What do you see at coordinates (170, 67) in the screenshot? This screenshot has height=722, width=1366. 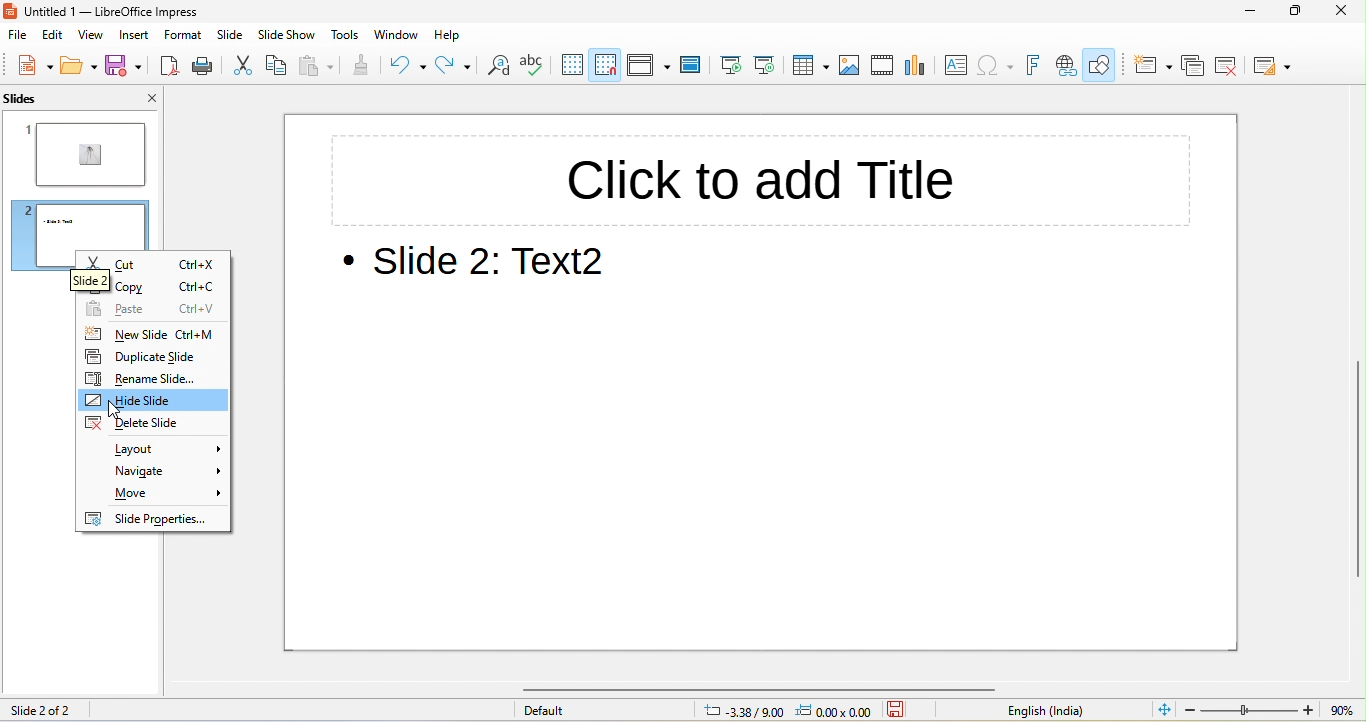 I see `export directly as pdf` at bounding box center [170, 67].